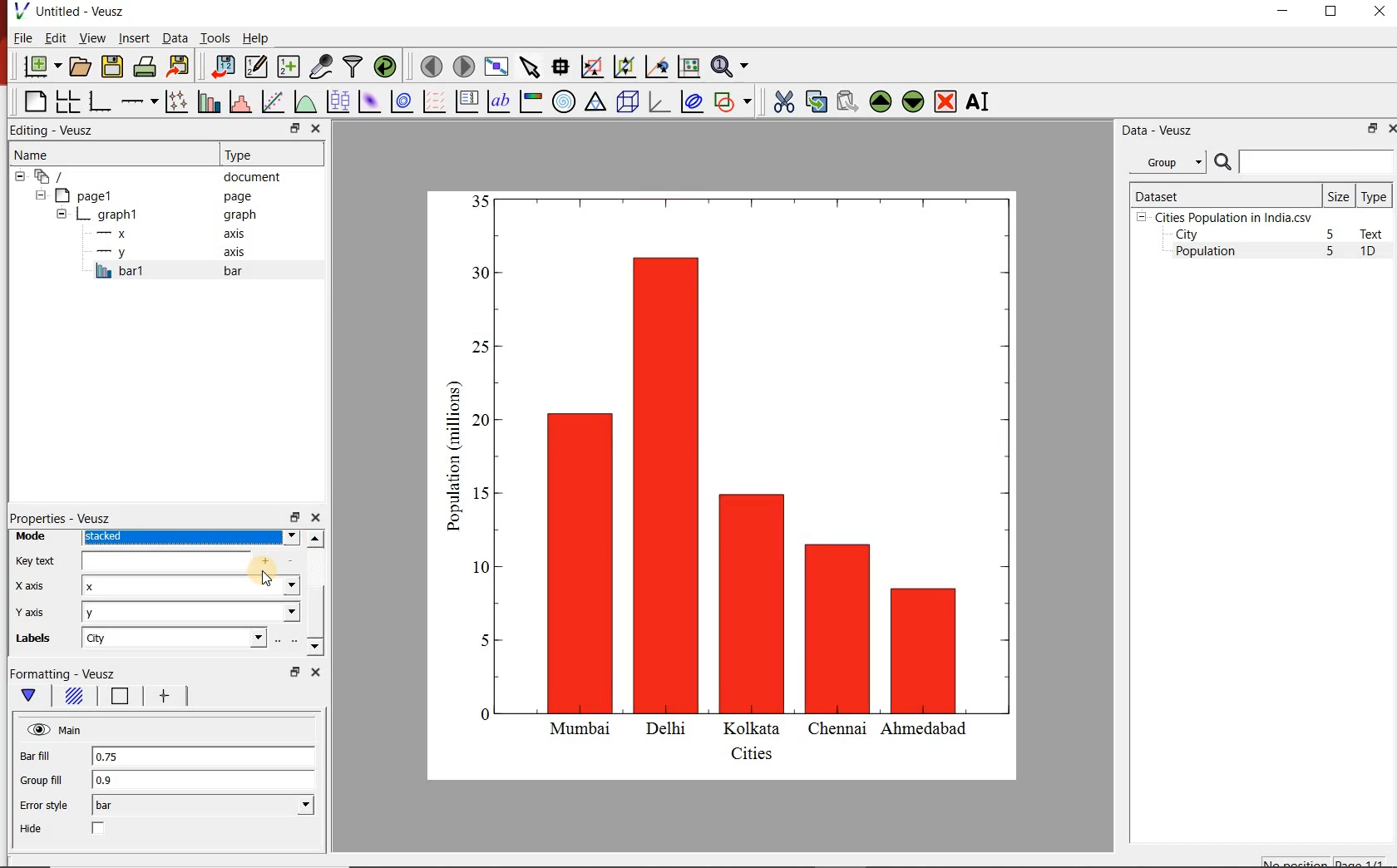  What do you see at coordinates (429, 65) in the screenshot?
I see `move to the previous page` at bounding box center [429, 65].